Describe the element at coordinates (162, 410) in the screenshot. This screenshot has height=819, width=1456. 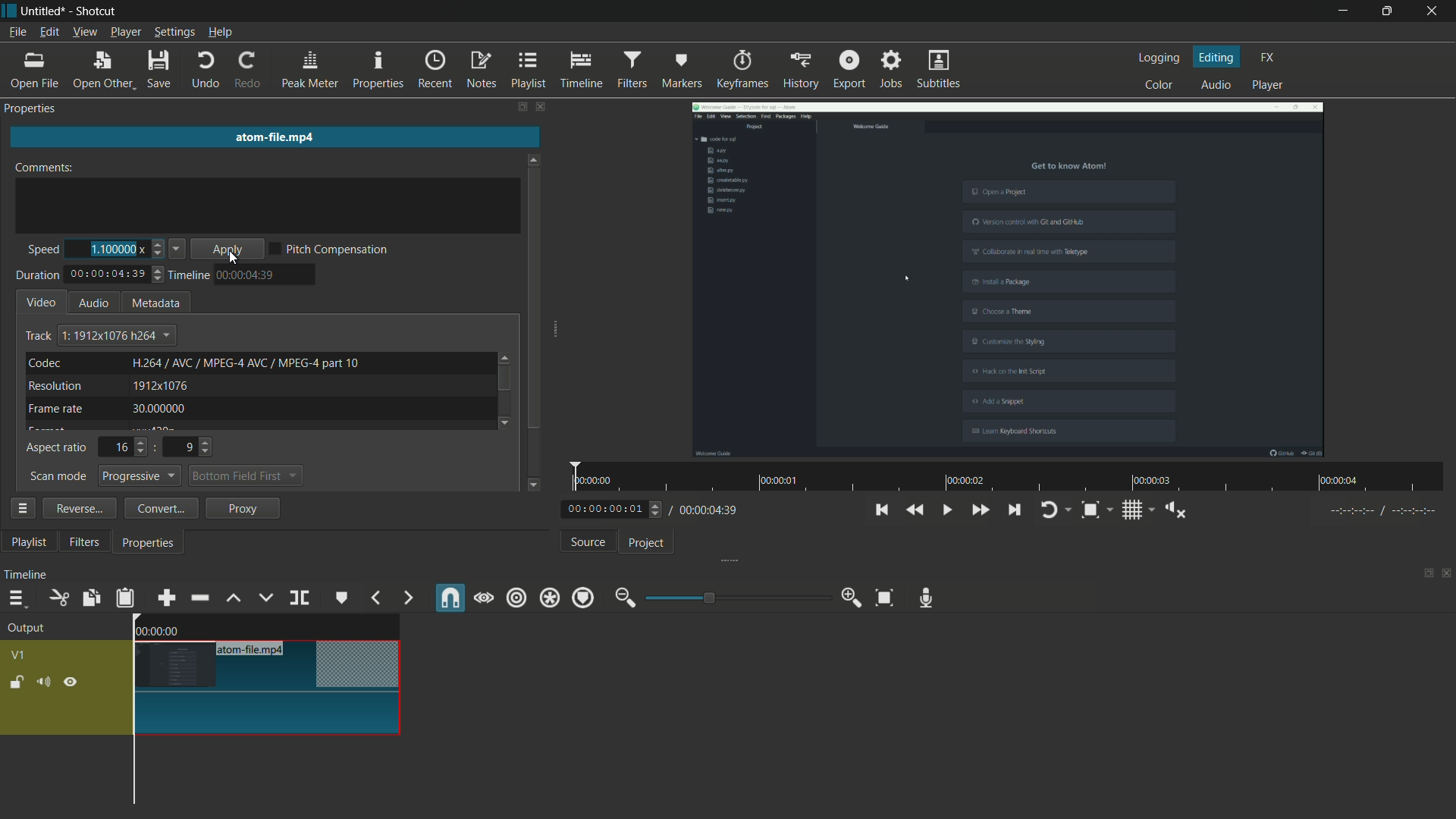
I see `30` at that location.